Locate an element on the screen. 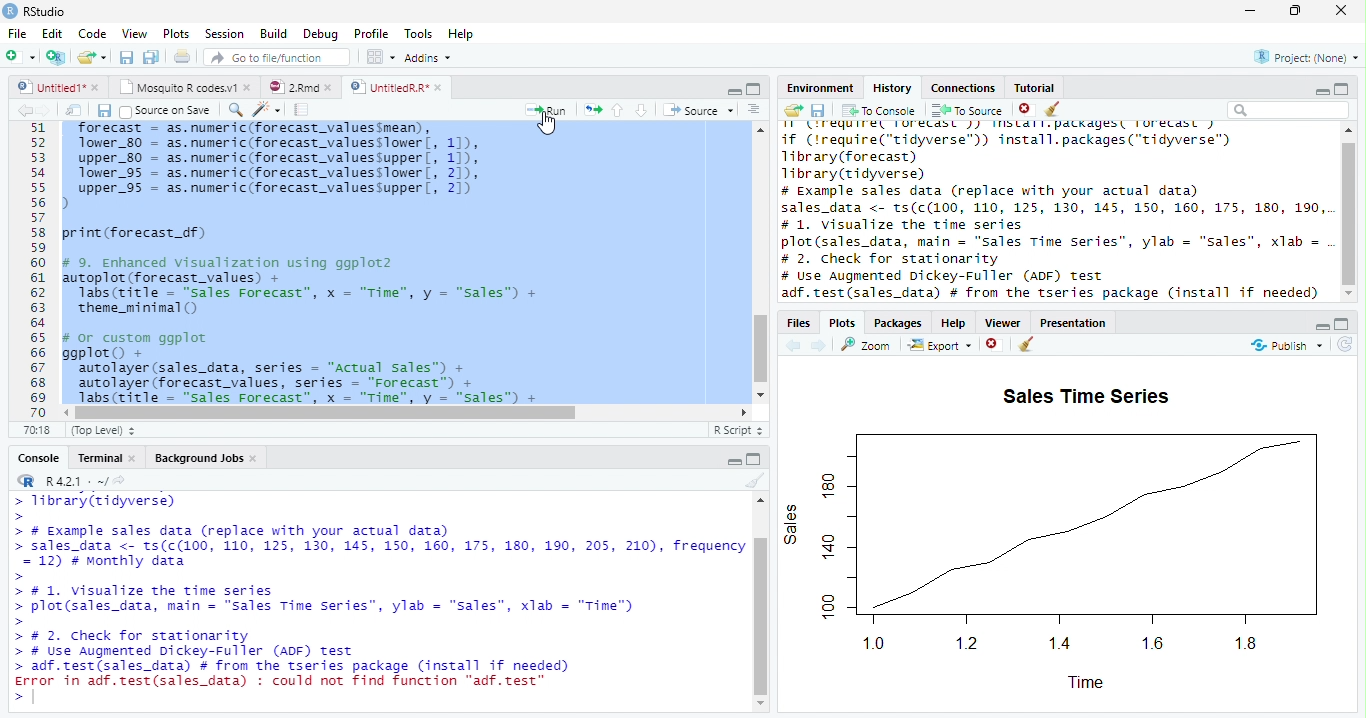 This screenshot has width=1366, height=718. Create a project is located at coordinates (57, 59).